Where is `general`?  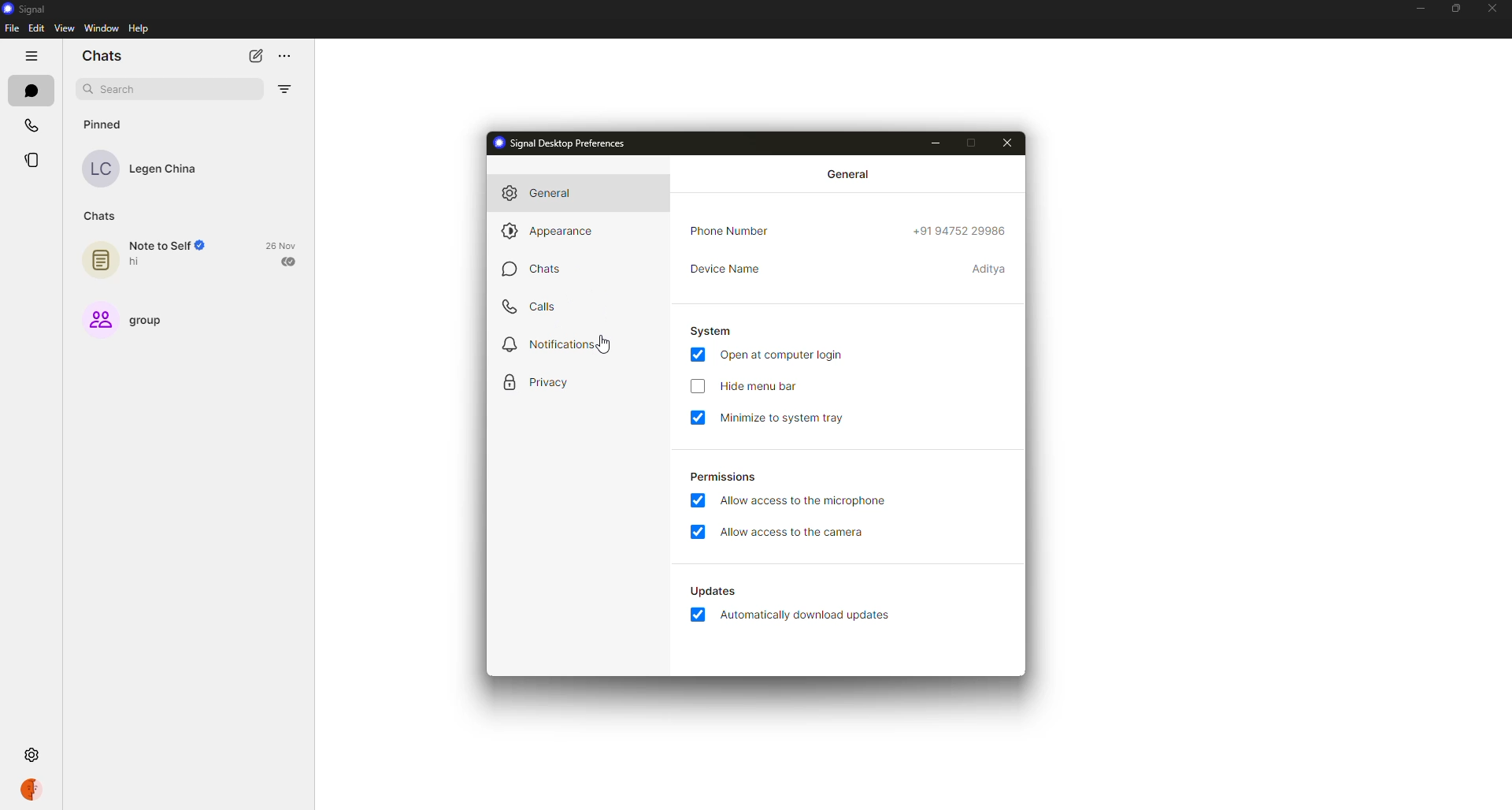
general is located at coordinates (543, 192).